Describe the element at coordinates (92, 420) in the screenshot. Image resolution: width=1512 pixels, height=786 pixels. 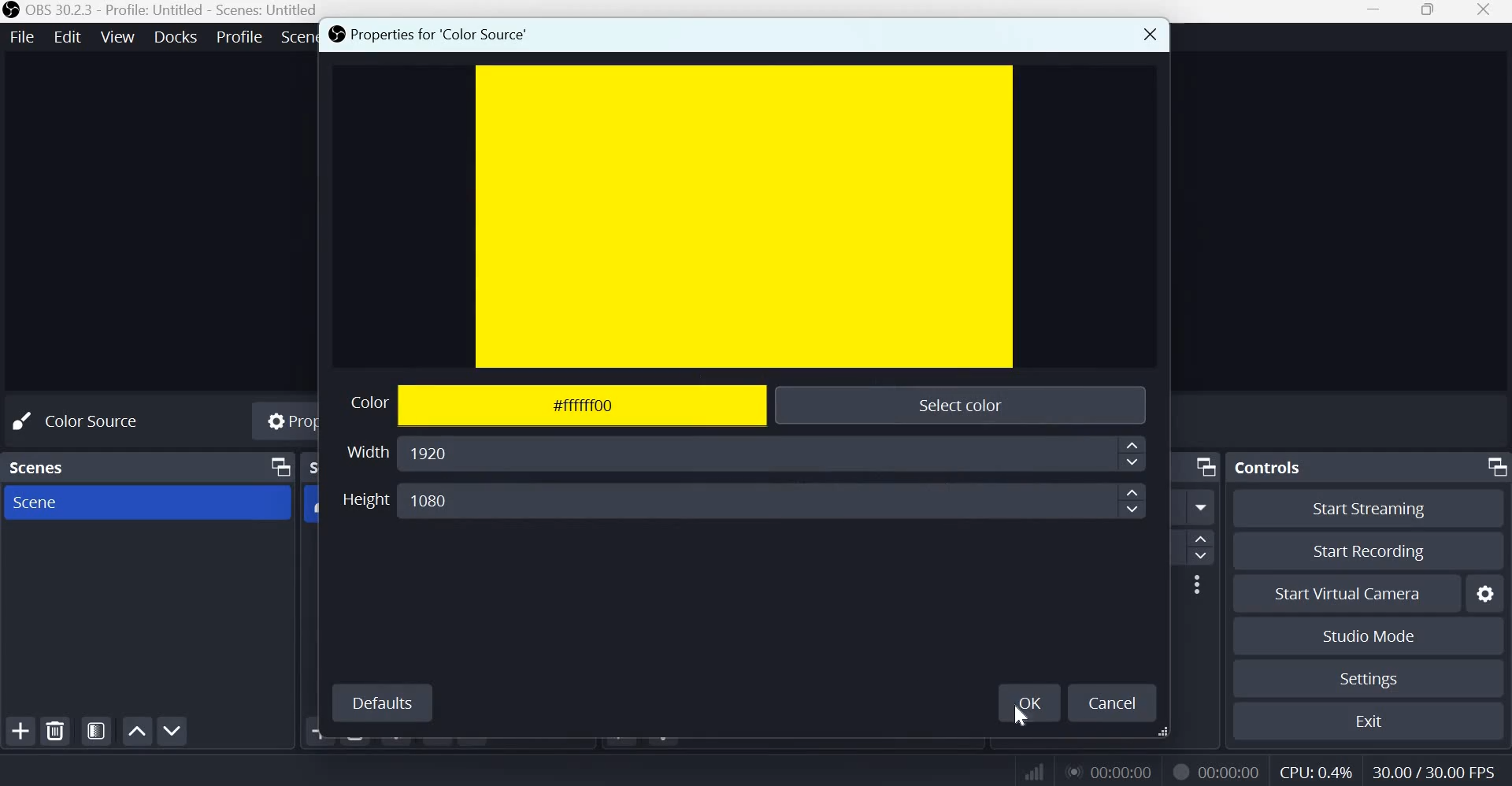
I see `No source selected` at that location.